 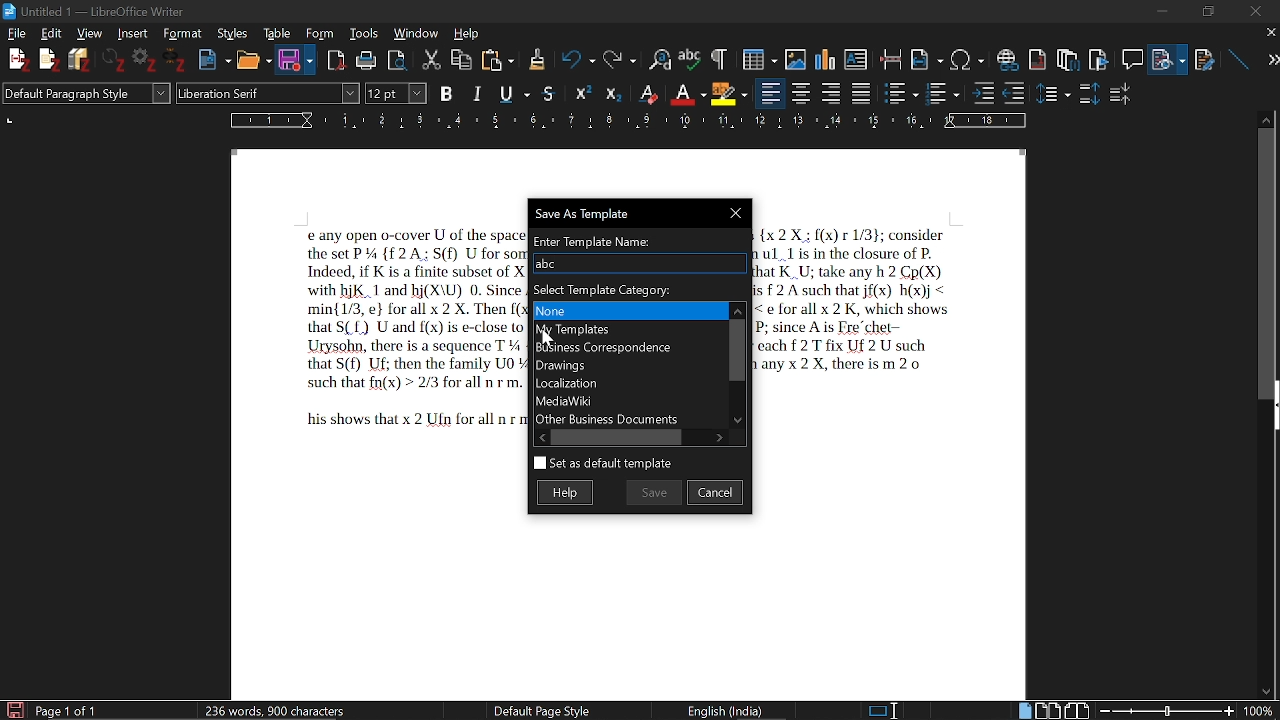 What do you see at coordinates (1077, 709) in the screenshot?
I see `Book view` at bounding box center [1077, 709].